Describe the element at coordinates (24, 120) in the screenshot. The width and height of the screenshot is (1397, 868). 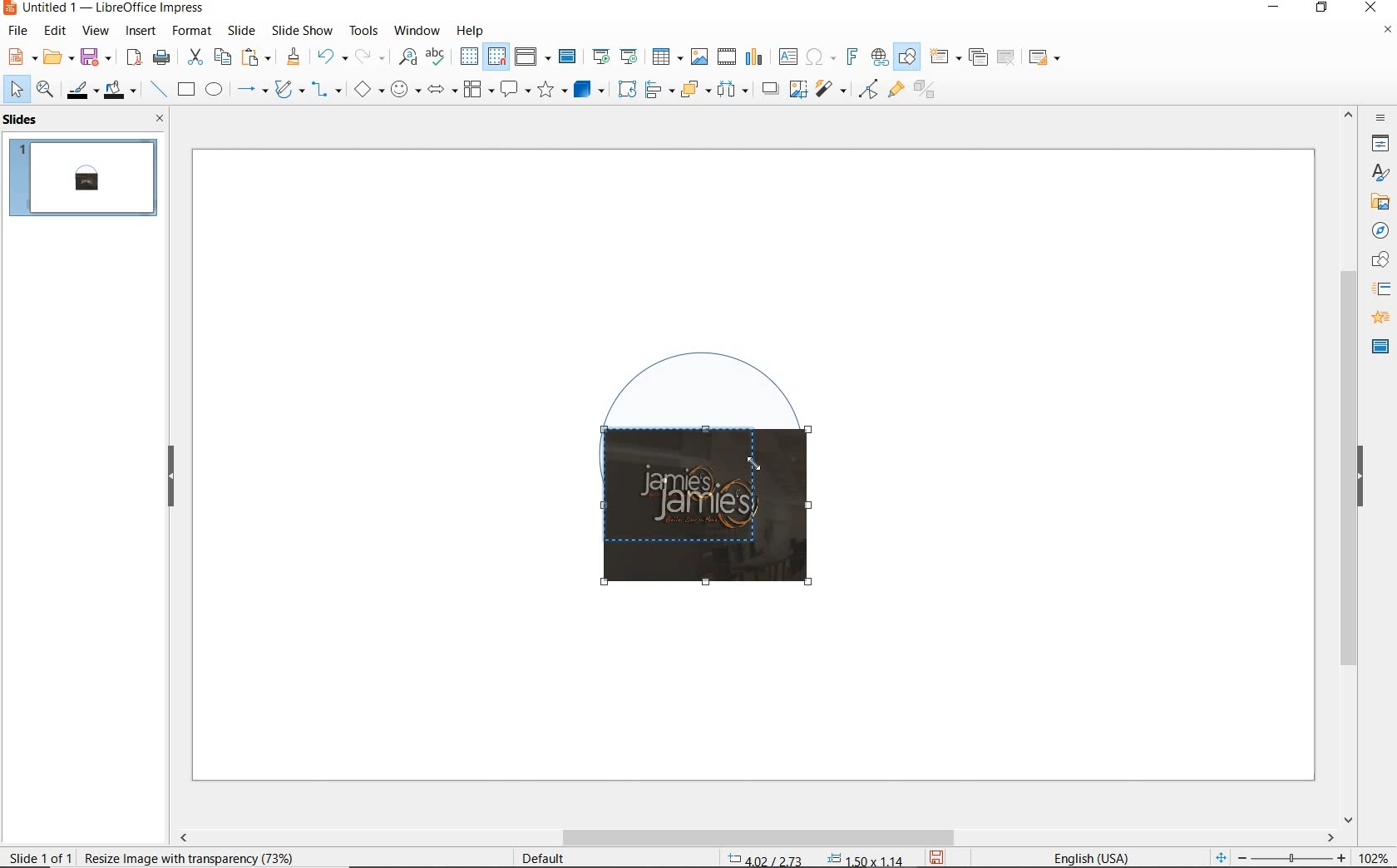
I see `slides` at that location.